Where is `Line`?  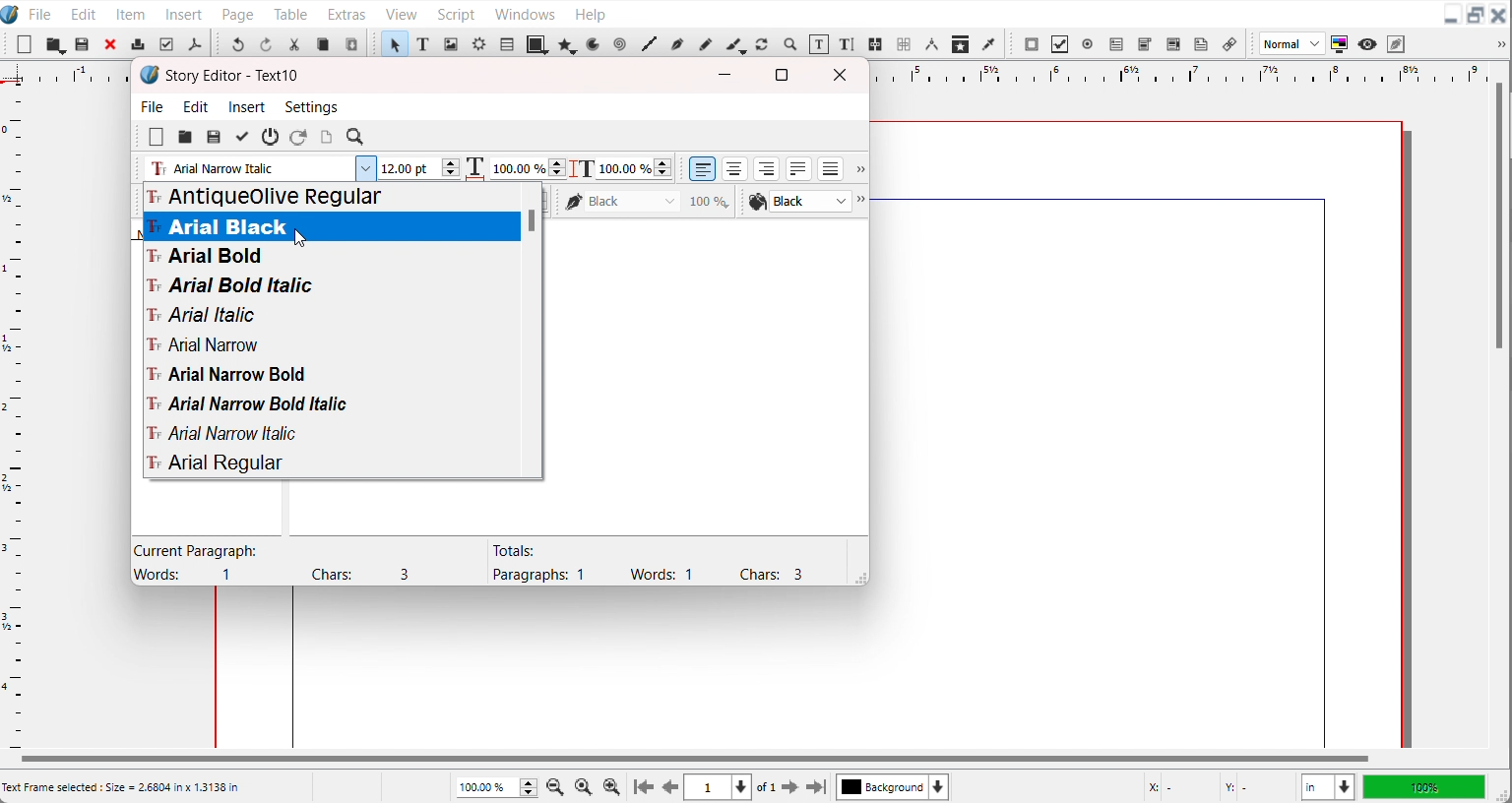 Line is located at coordinates (649, 44).